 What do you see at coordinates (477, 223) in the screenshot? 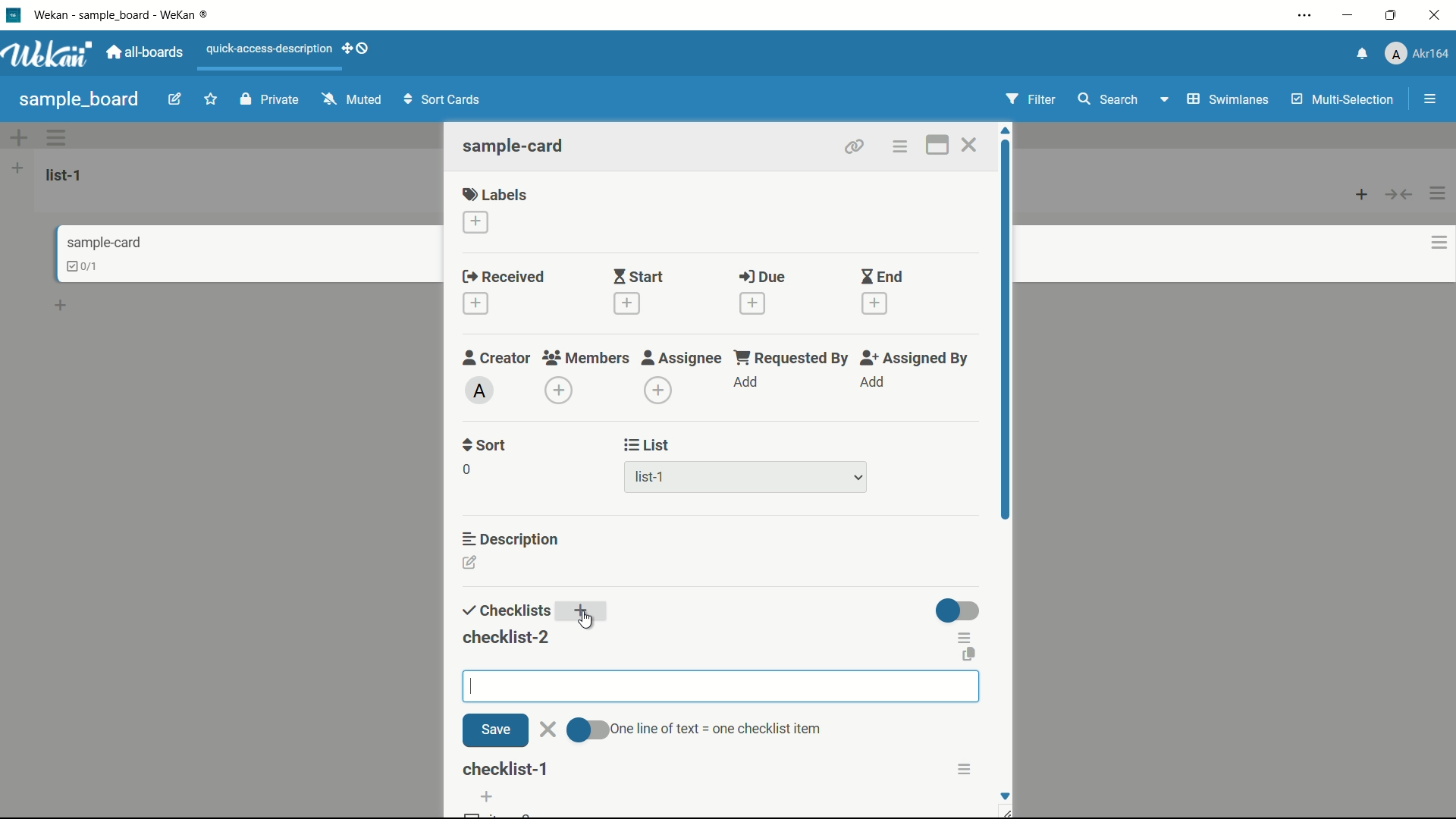
I see `add label` at bounding box center [477, 223].